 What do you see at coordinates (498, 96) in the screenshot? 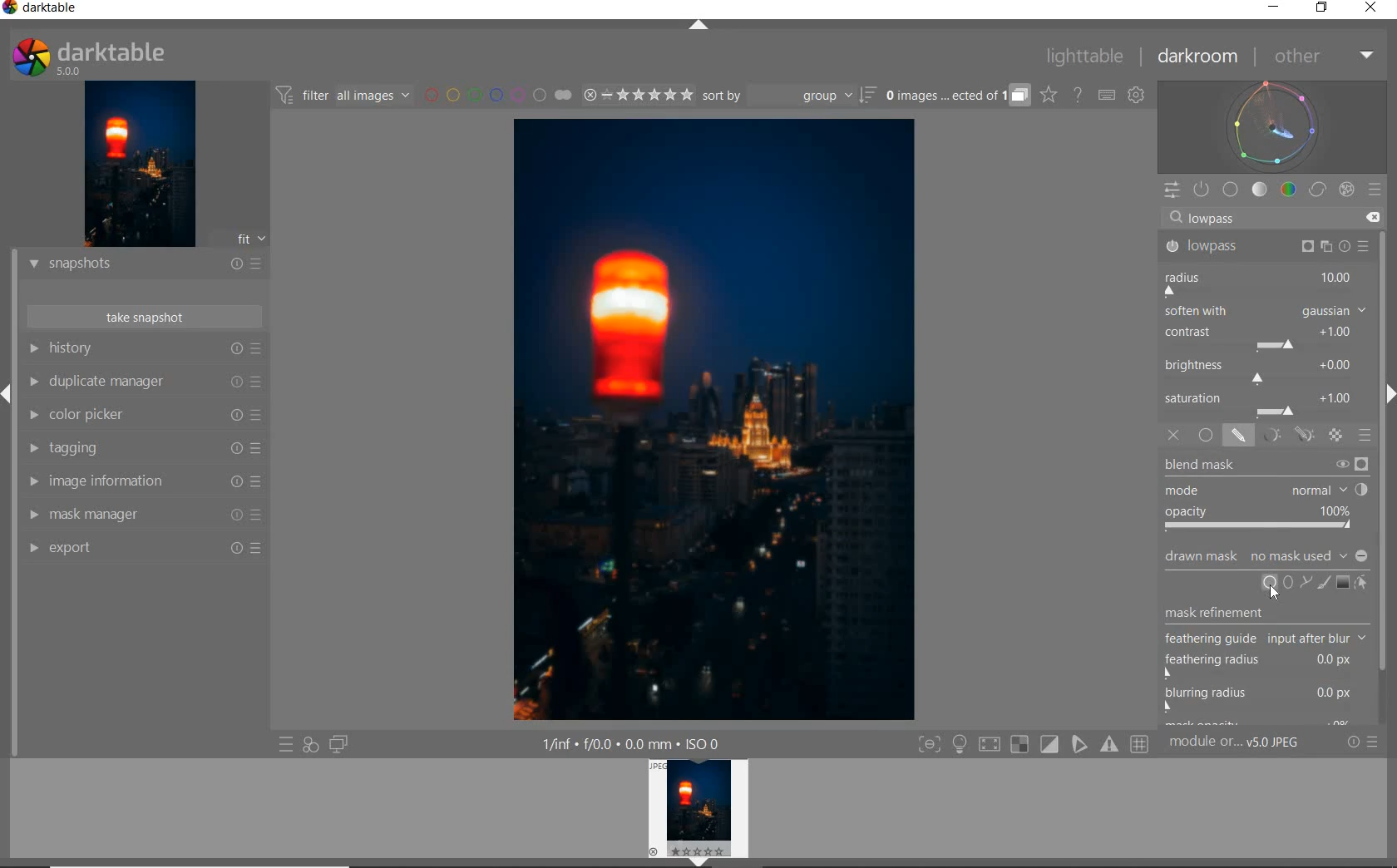
I see `FILTER BY IMAGE COLOR LABEL` at bounding box center [498, 96].